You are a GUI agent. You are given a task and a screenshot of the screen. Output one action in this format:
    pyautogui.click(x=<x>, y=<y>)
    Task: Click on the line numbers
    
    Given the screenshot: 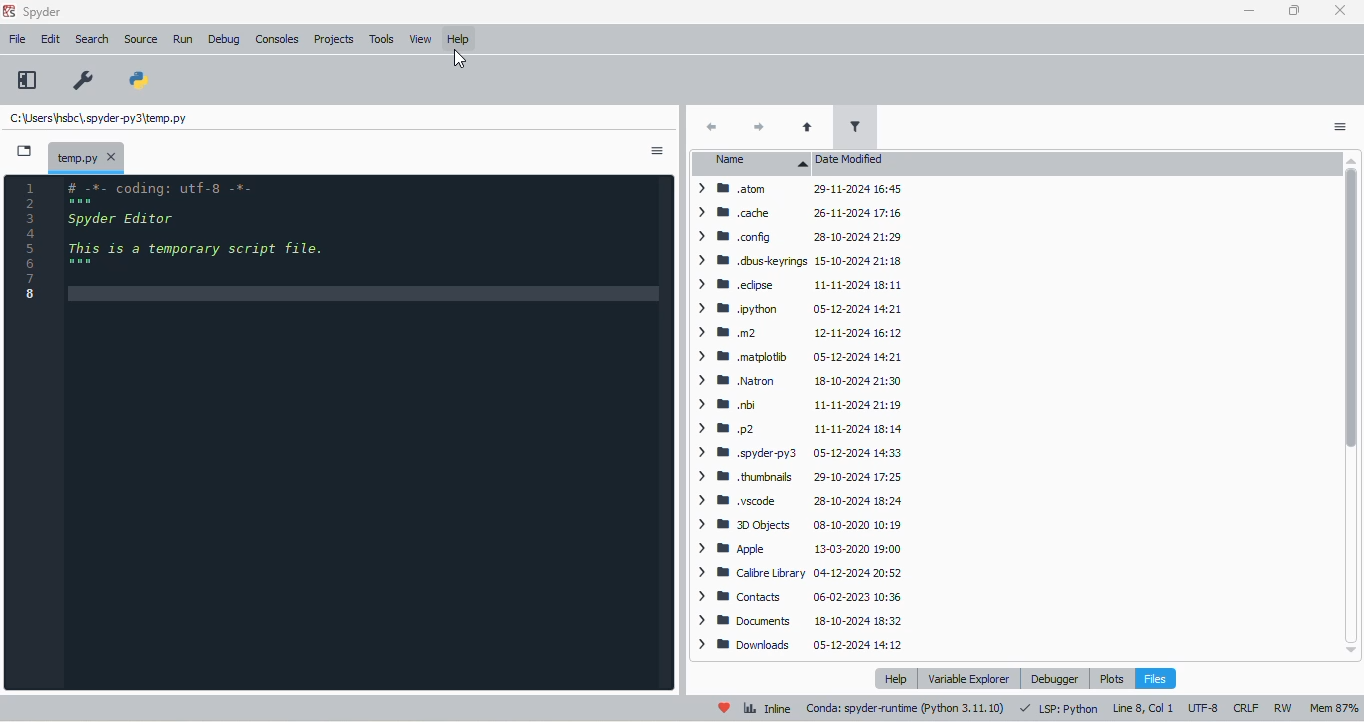 What is the action you would take?
    pyautogui.click(x=33, y=243)
    